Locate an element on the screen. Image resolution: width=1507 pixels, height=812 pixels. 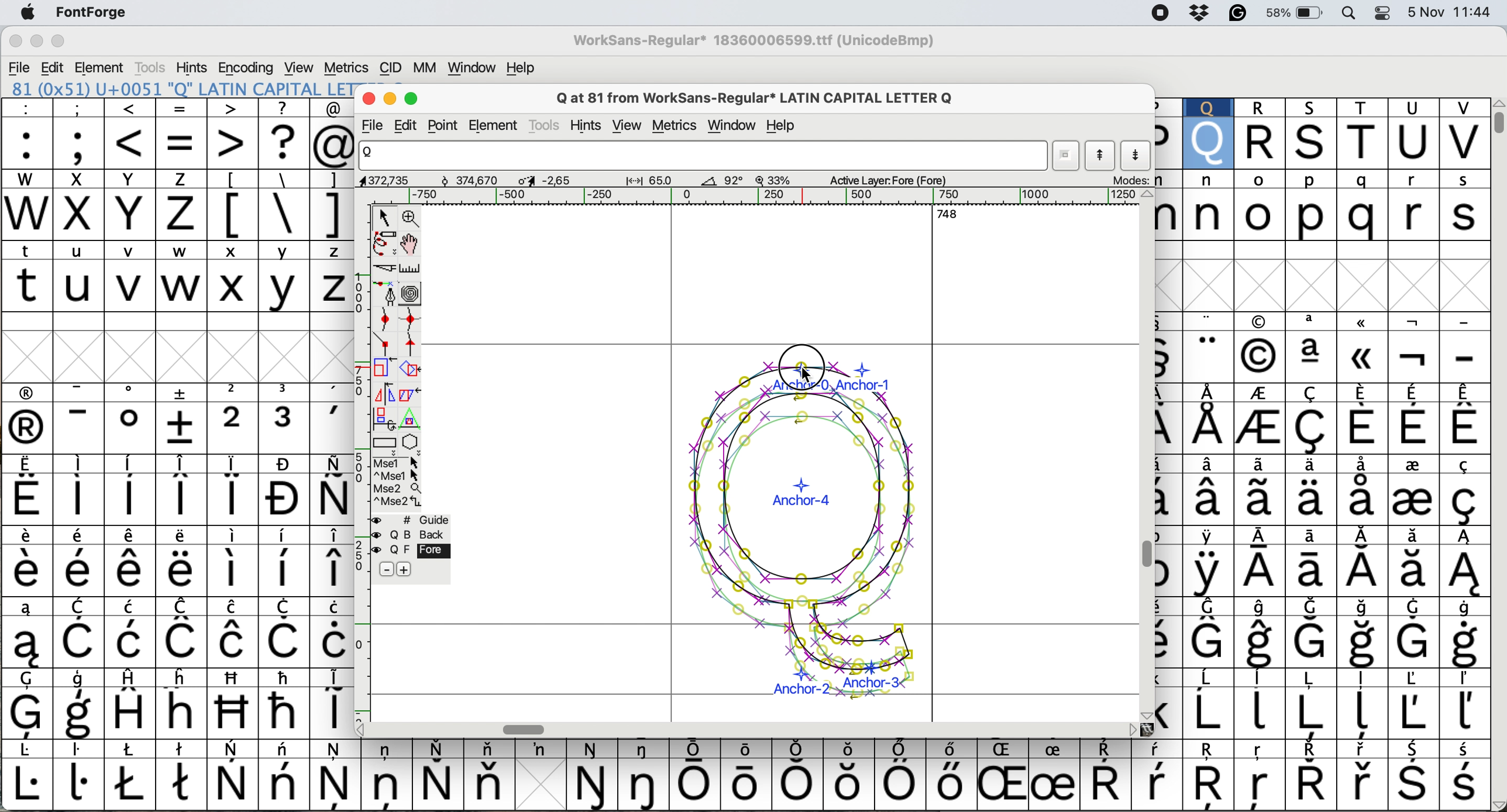
help is located at coordinates (519, 67).